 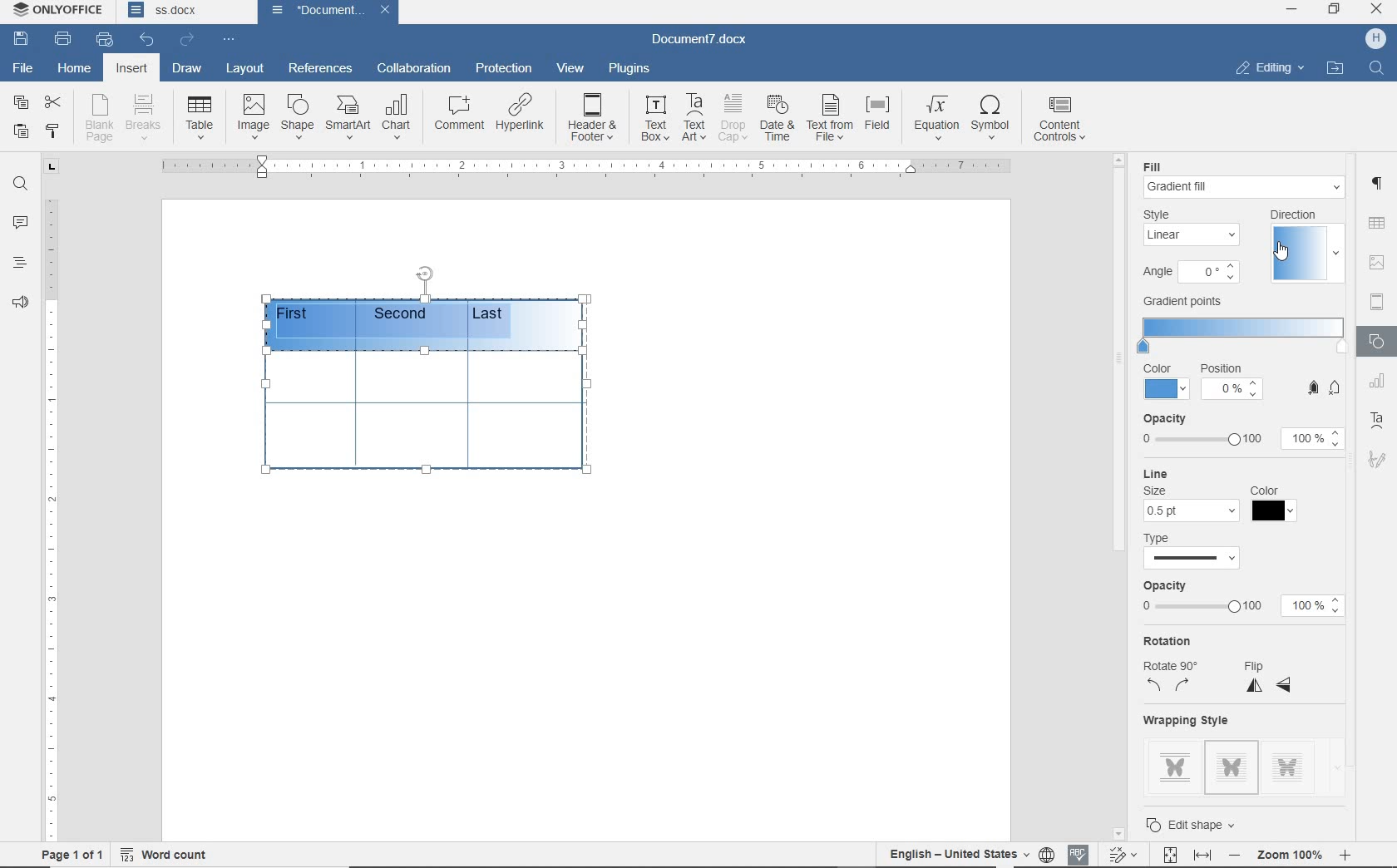 I want to click on blank page, so click(x=100, y=121).